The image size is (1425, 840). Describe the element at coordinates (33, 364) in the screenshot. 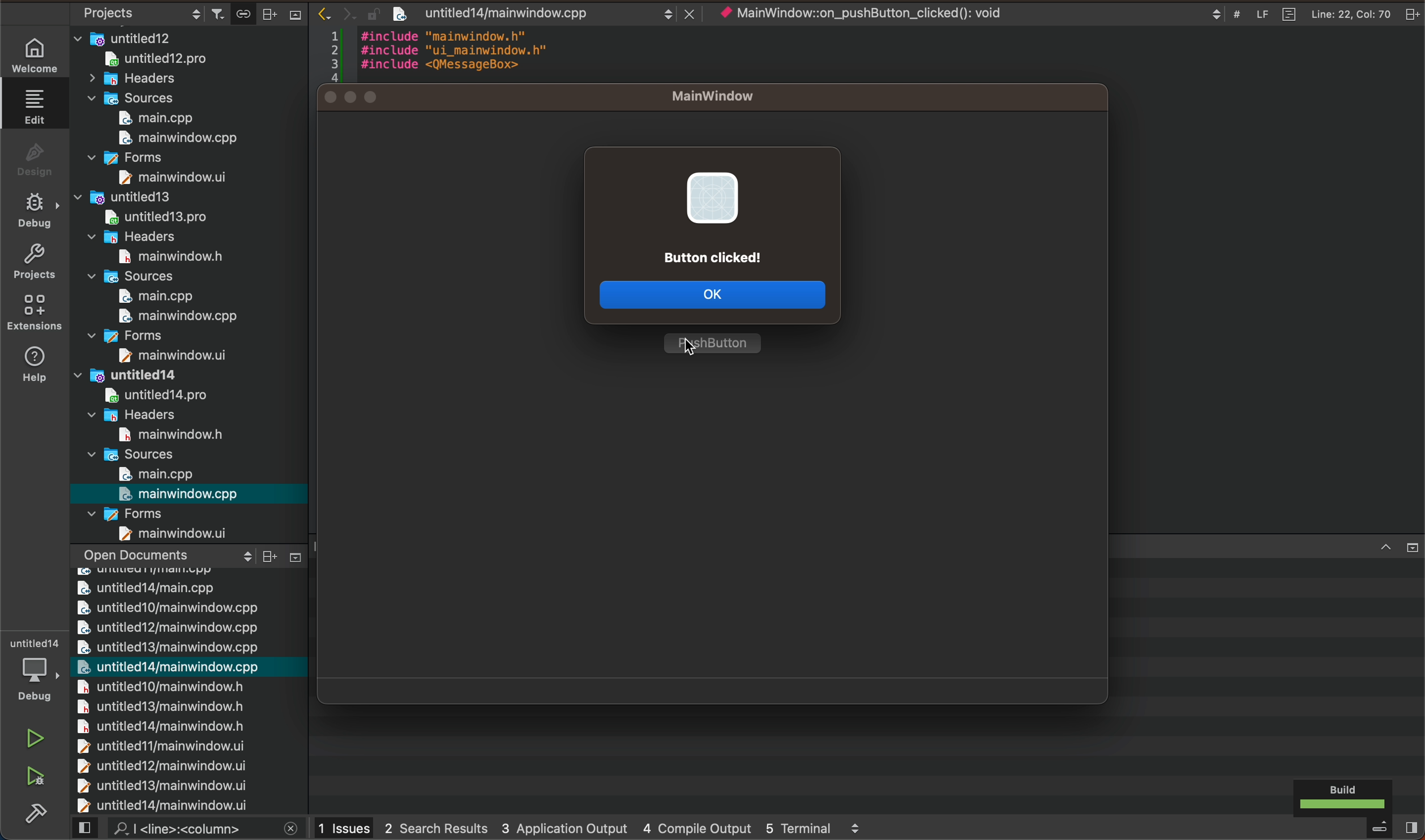

I see `help` at that location.